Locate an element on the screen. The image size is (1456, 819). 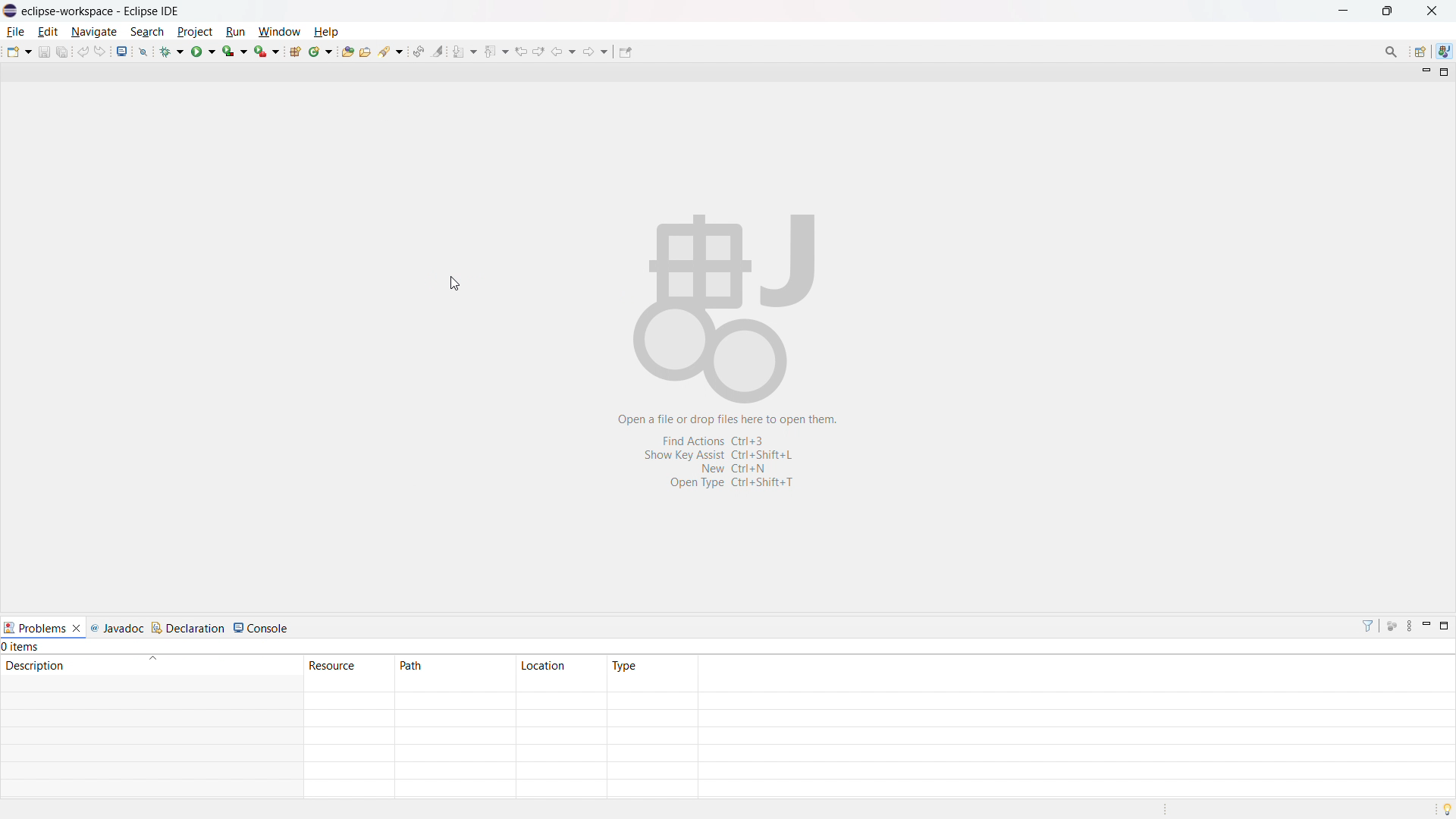
forward is located at coordinates (595, 51).